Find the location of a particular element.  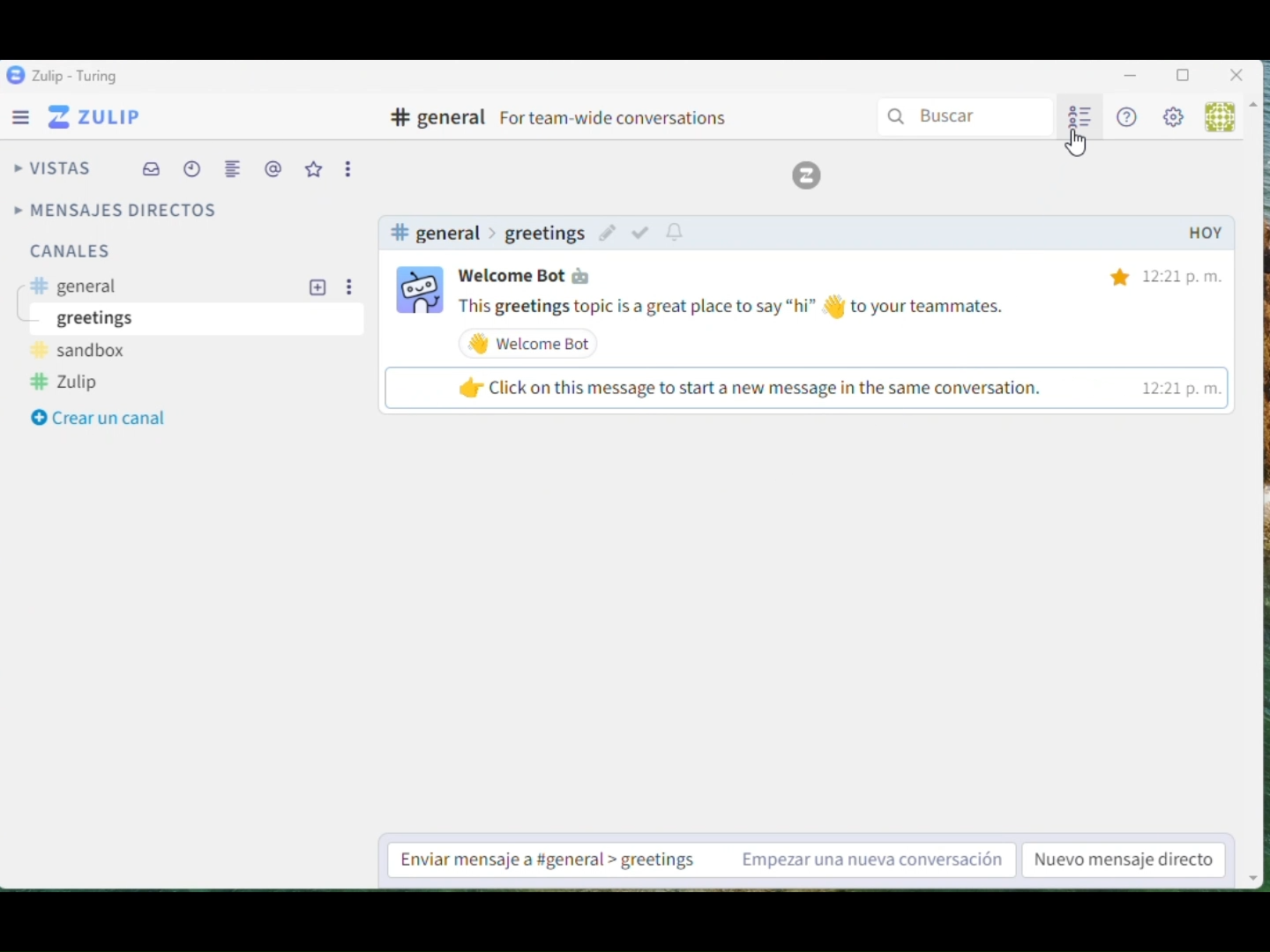

Search is located at coordinates (968, 117).